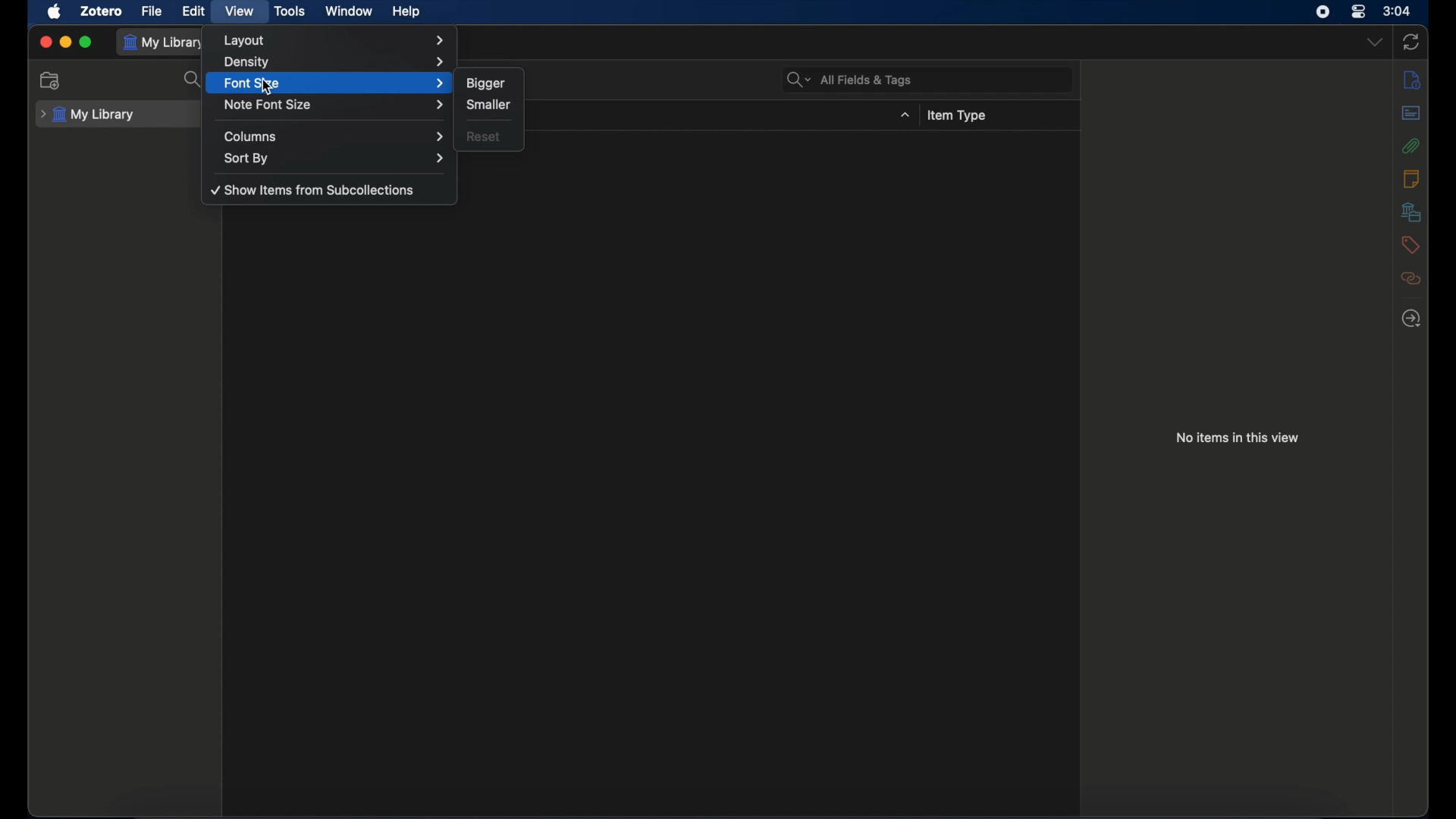 Image resolution: width=1456 pixels, height=819 pixels. Describe the element at coordinates (1411, 79) in the screenshot. I see `info` at that location.